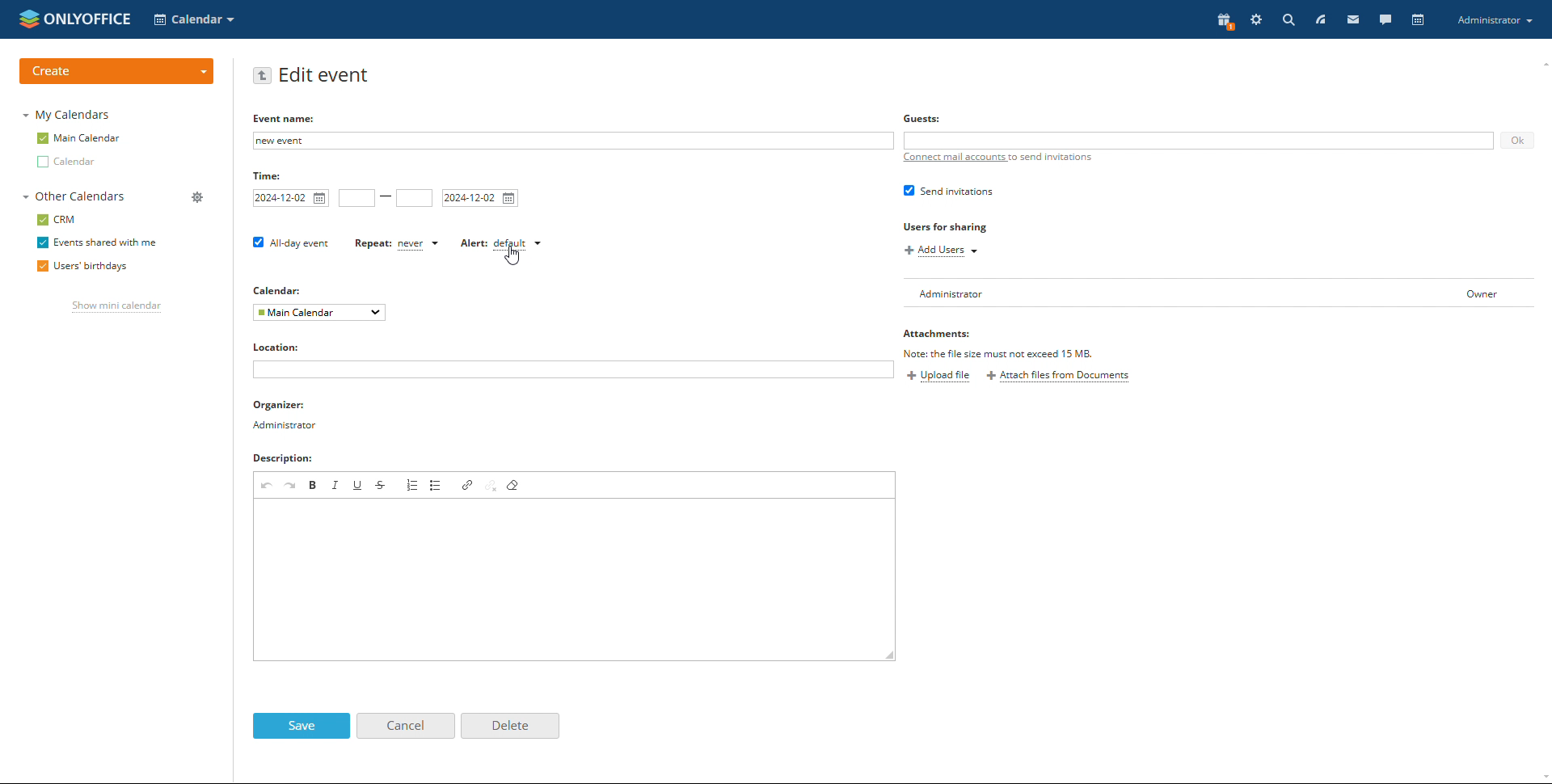  Describe the element at coordinates (194, 20) in the screenshot. I see `select application` at that location.